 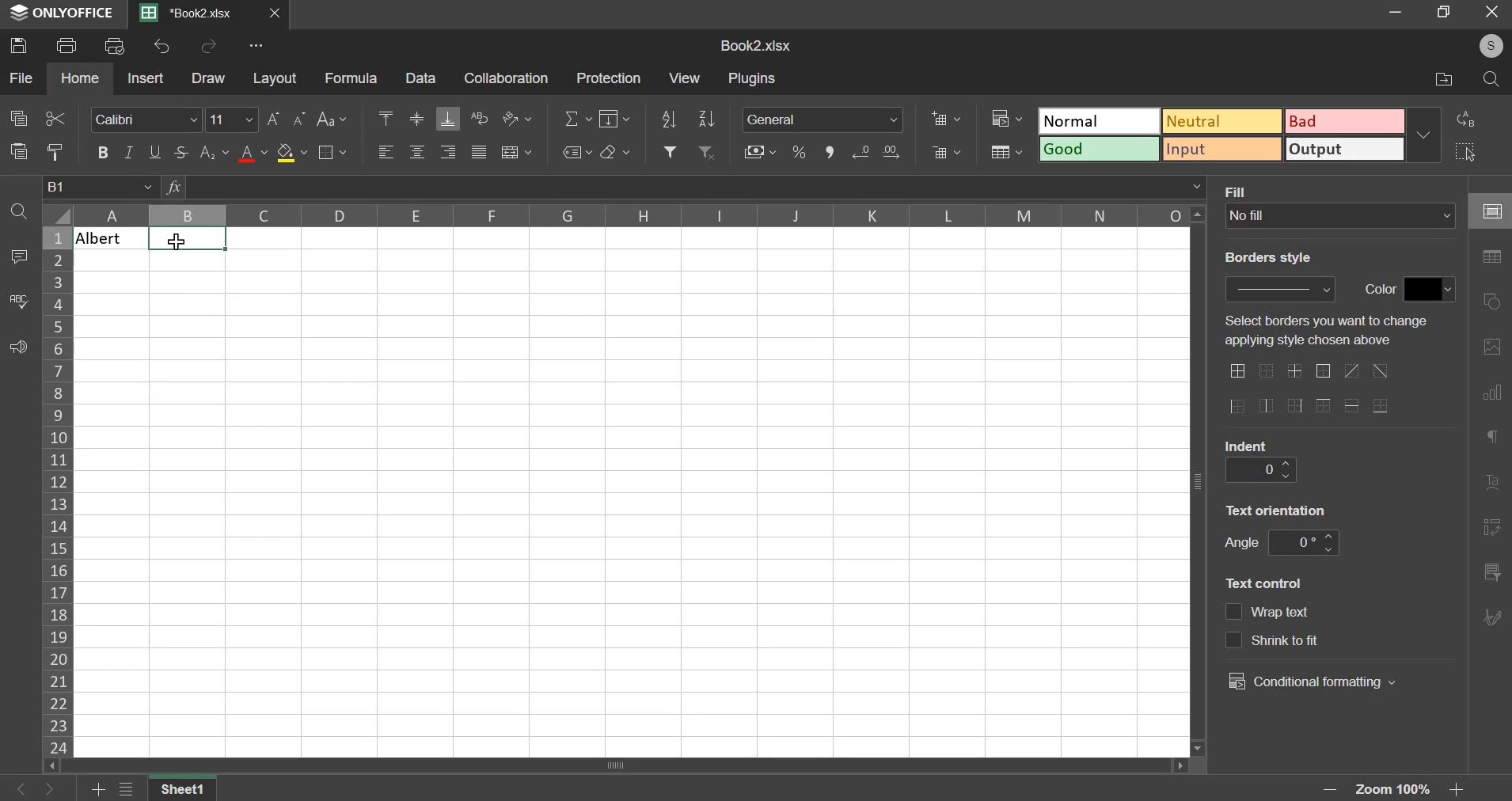 I want to click on underline, so click(x=155, y=150).